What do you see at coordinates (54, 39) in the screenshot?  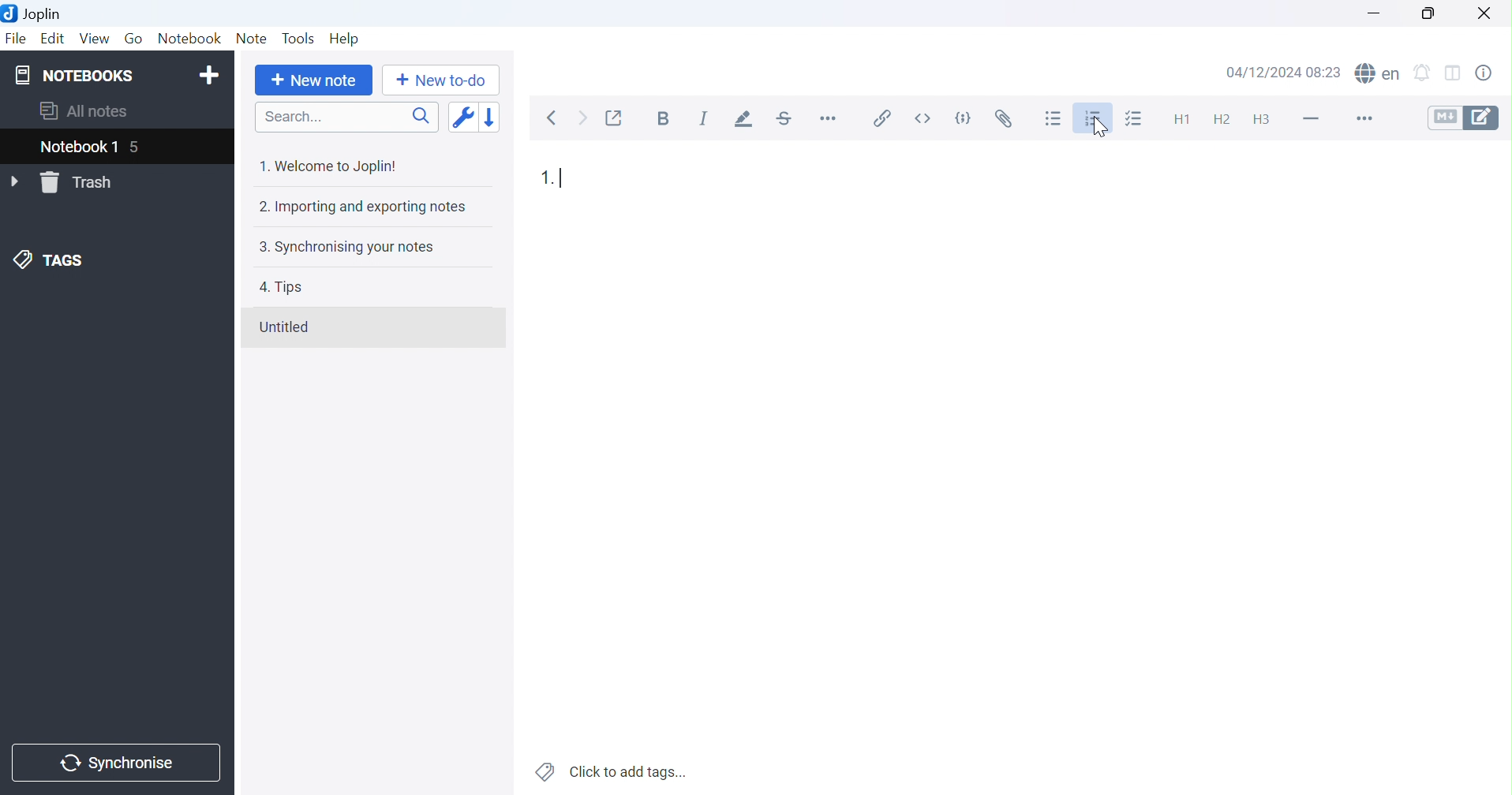 I see `Edit` at bounding box center [54, 39].